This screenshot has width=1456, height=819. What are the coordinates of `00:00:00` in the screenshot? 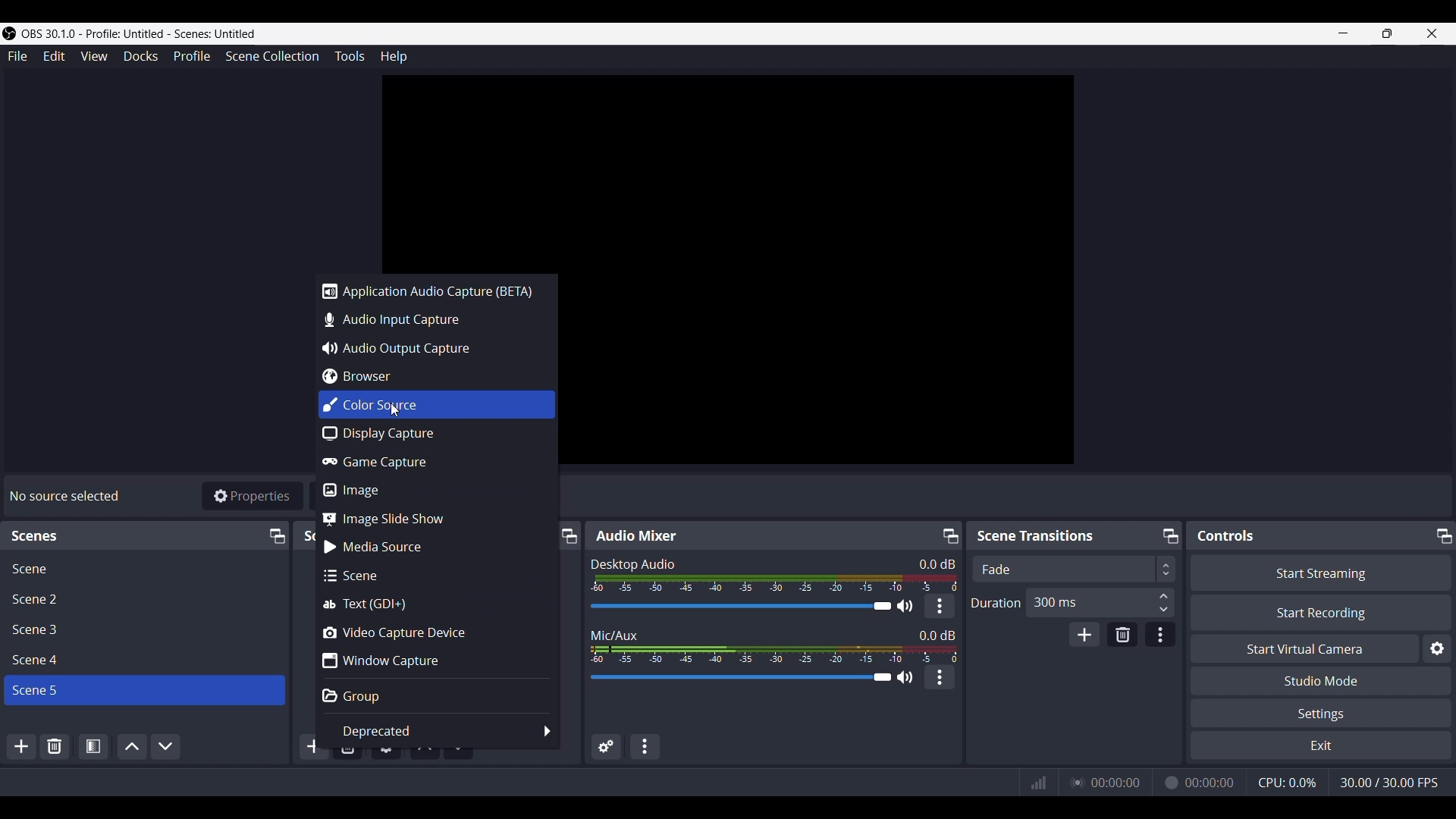 It's located at (1117, 782).